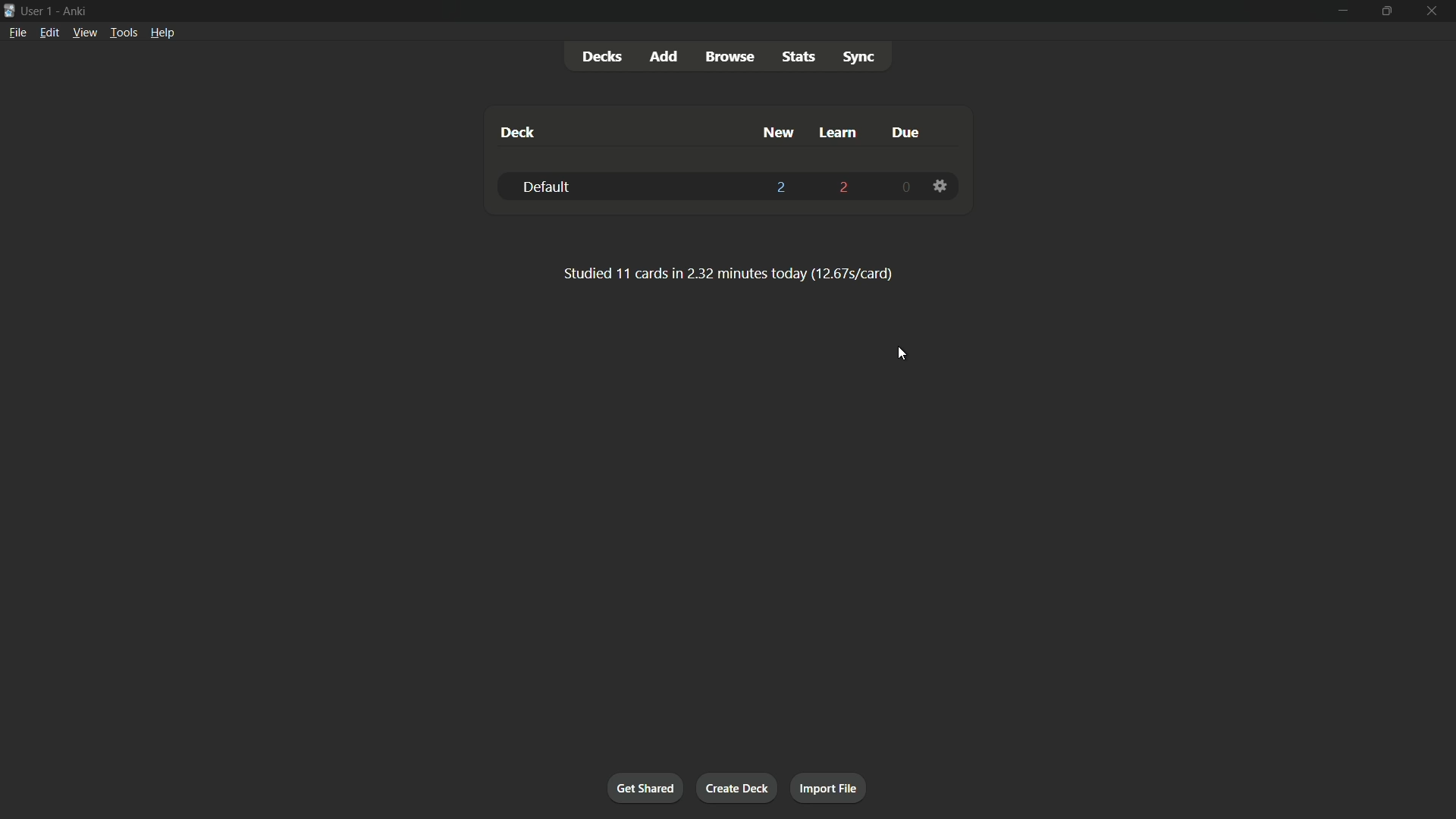 The height and width of the screenshot is (819, 1456). I want to click on user 1, so click(39, 11).